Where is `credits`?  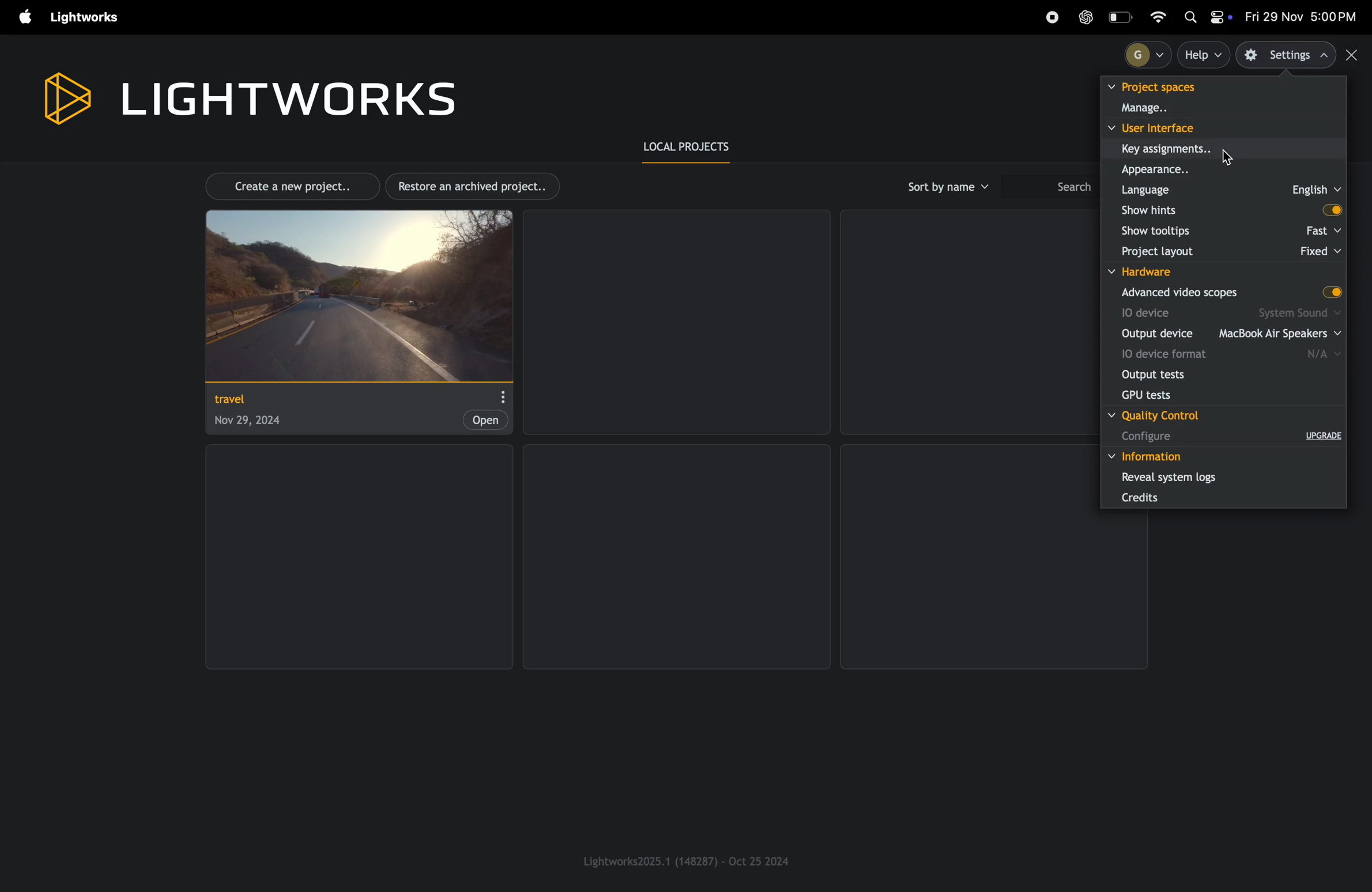 credits is located at coordinates (1220, 498).